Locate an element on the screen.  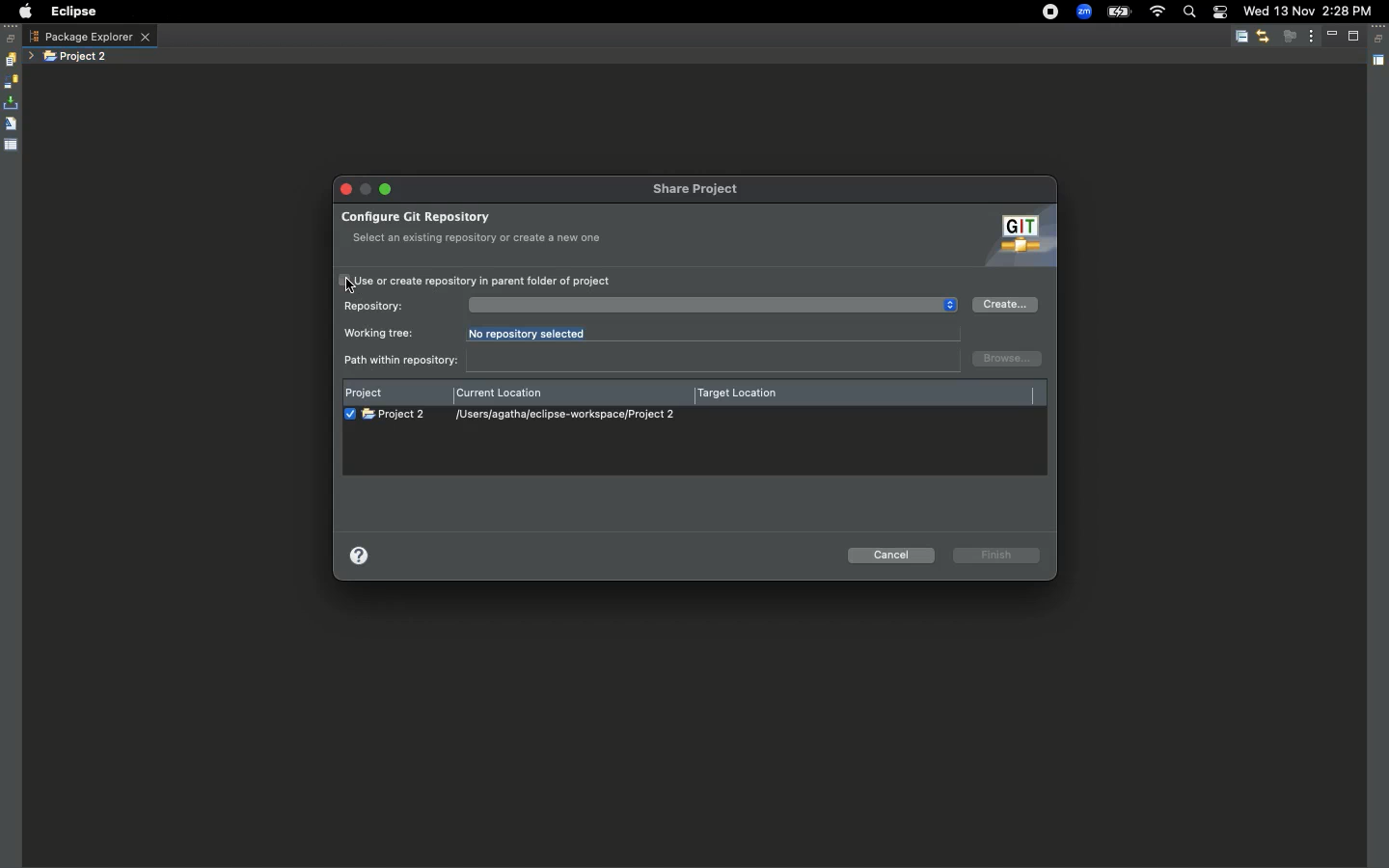
Browse... is located at coordinates (1009, 358).